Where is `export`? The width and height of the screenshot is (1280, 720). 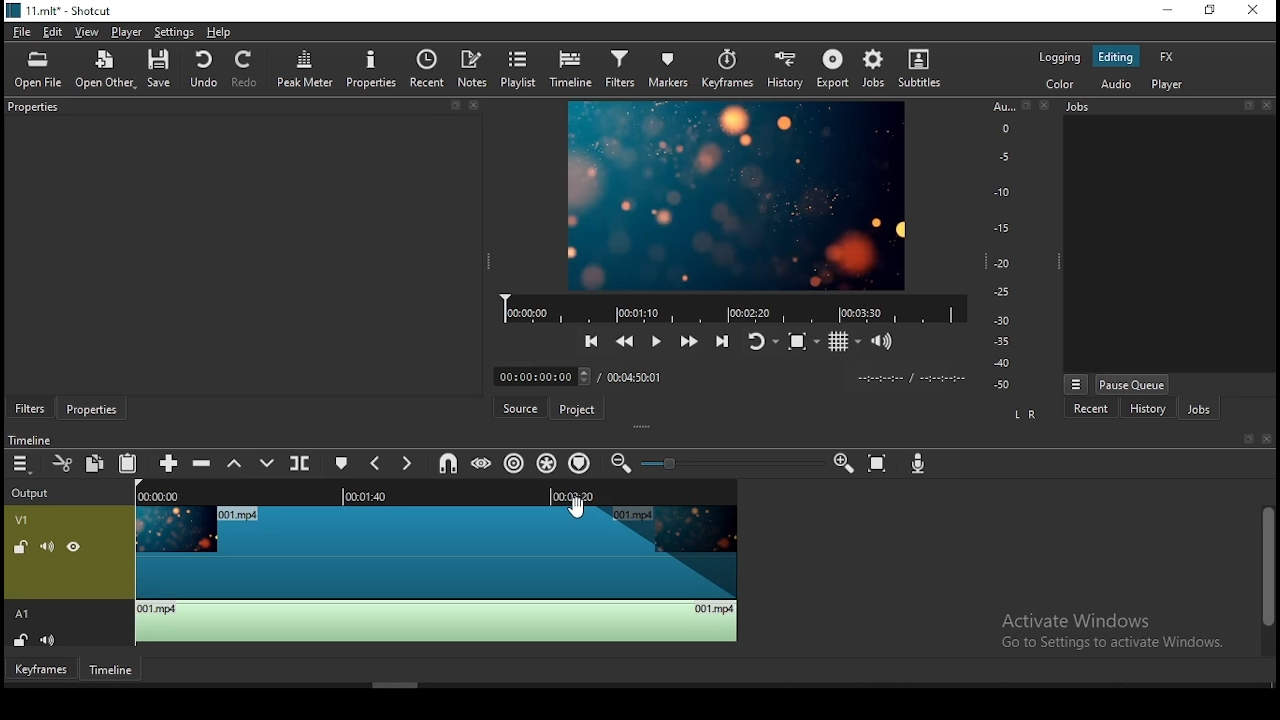 export is located at coordinates (834, 66).